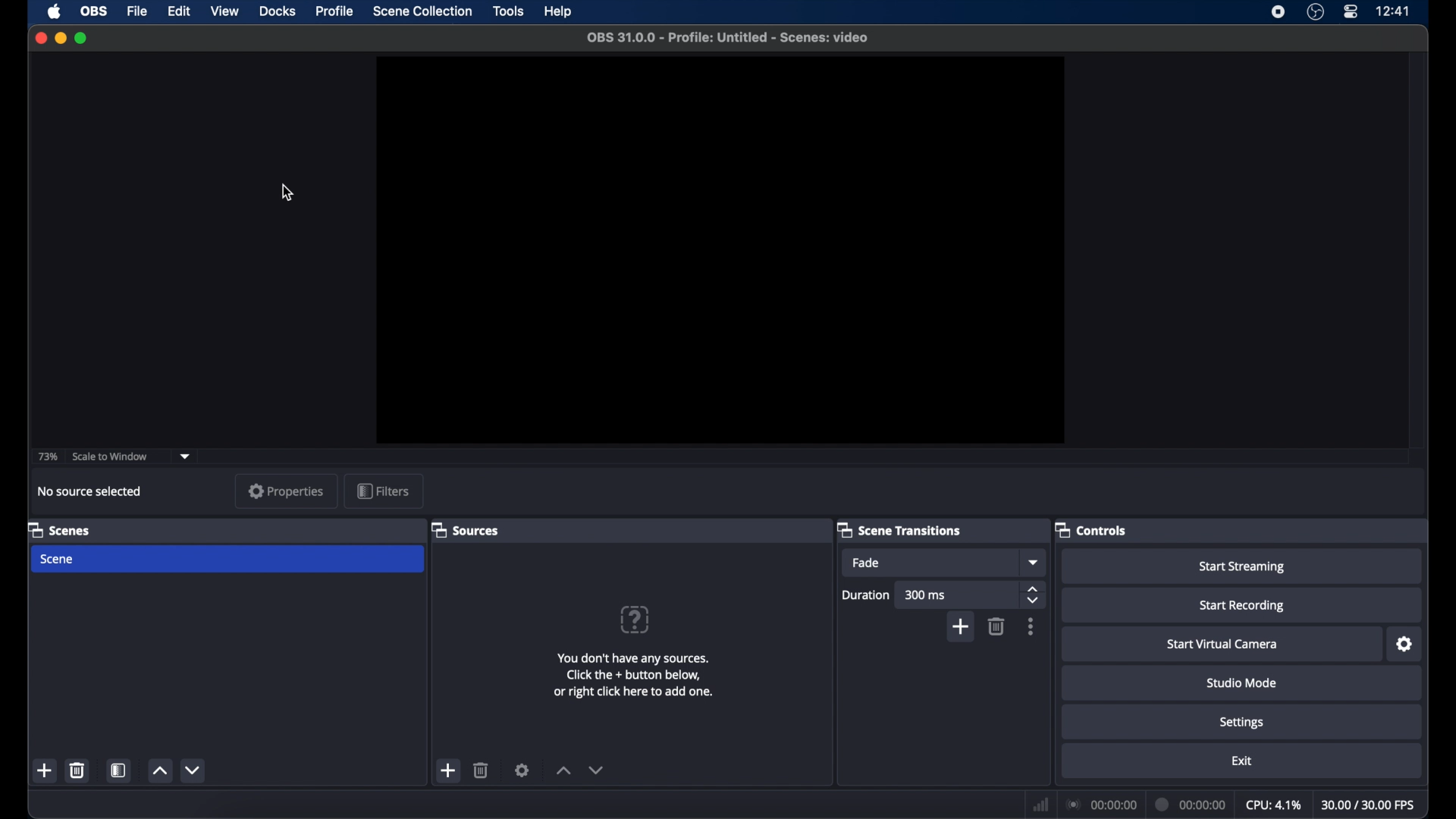 The height and width of the screenshot is (819, 1456). What do you see at coordinates (1094, 530) in the screenshot?
I see `controls` at bounding box center [1094, 530].